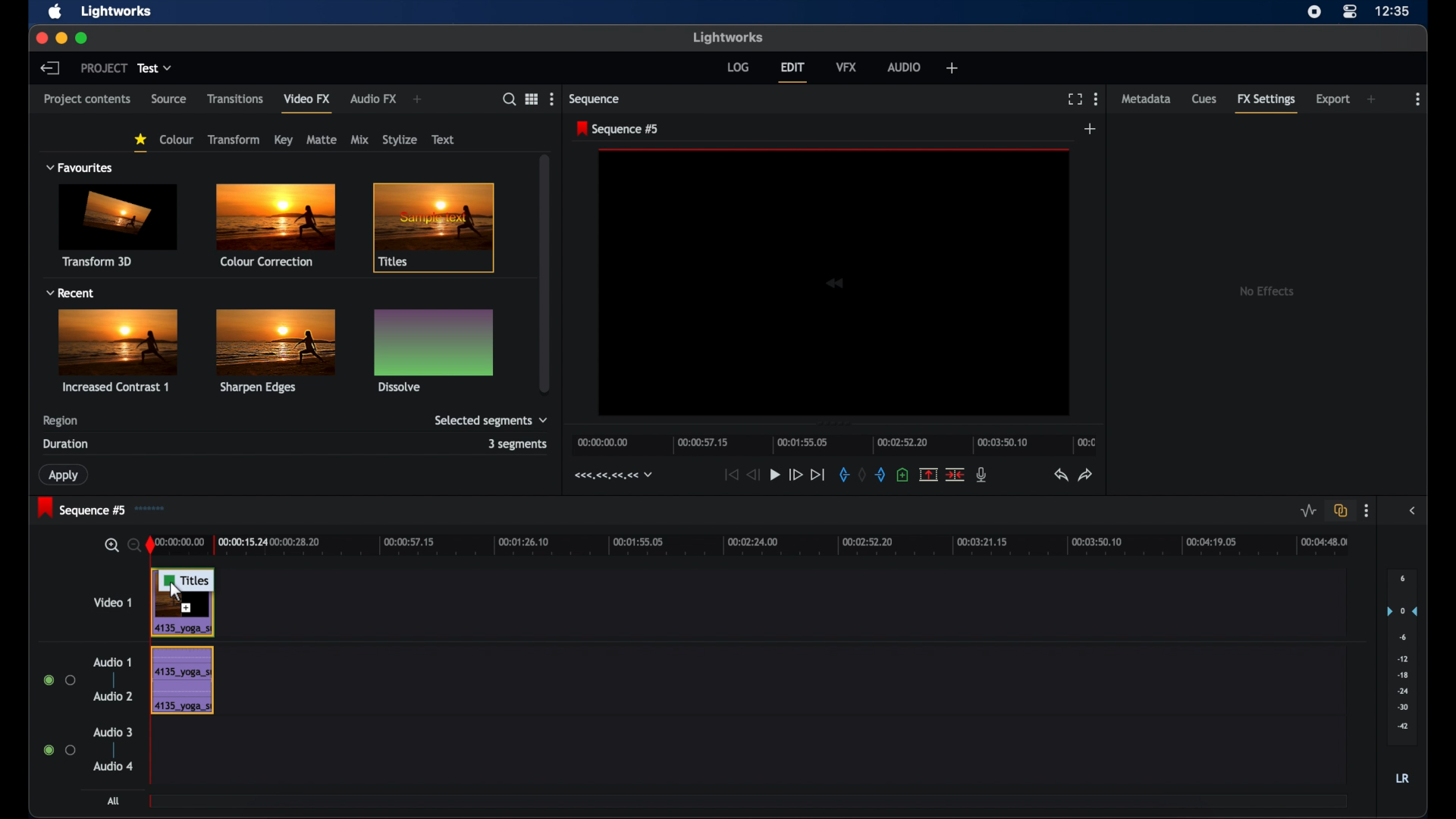 The width and height of the screenshot is (1456, 819). I want to click on sequence, so click(595, 99).